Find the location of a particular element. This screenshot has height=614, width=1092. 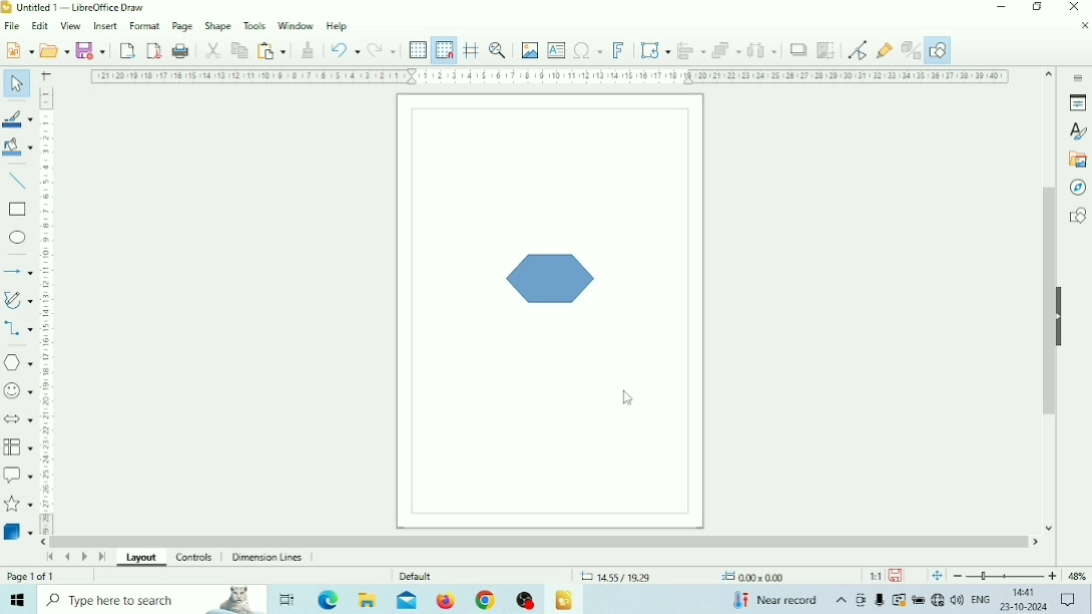

Stars and Banners is located at coordinates (19, 505).